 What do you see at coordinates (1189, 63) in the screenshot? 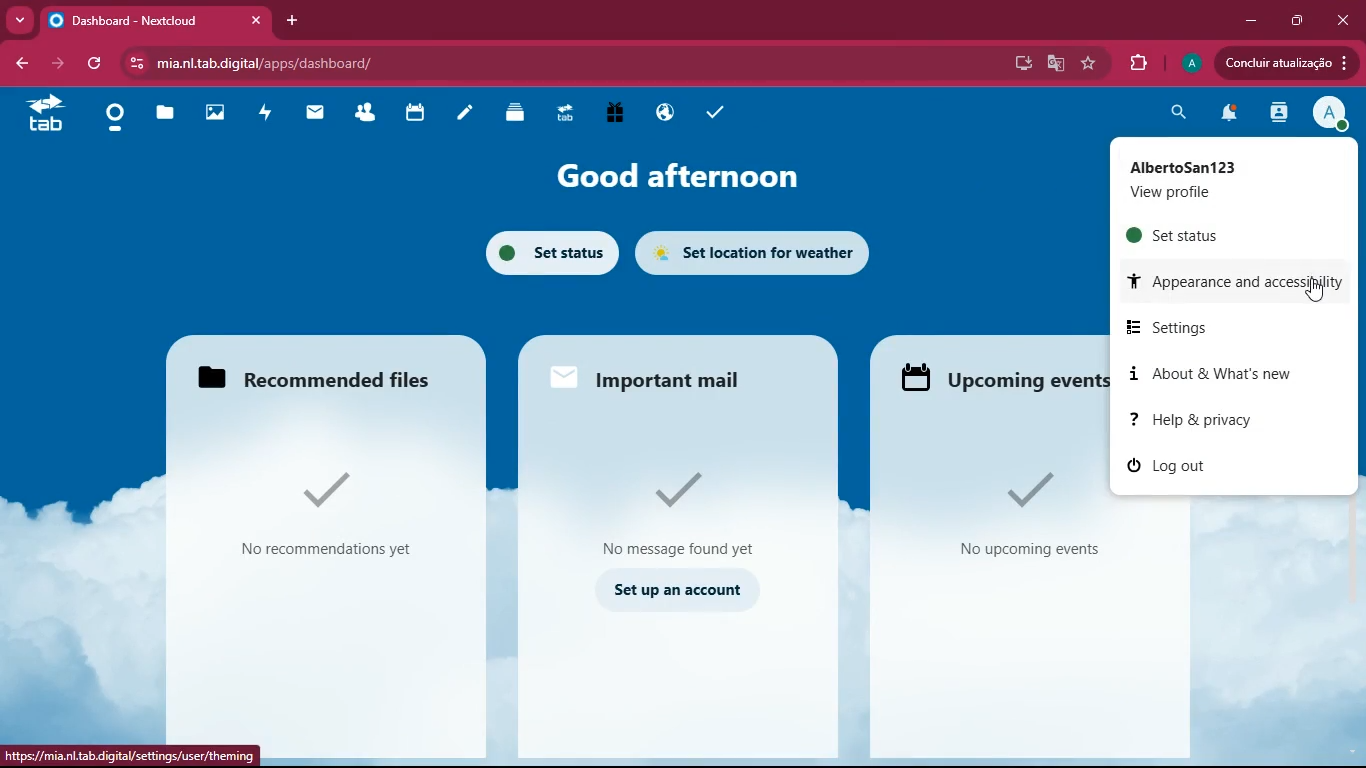
I see `profile` at bounding box center [1189, 63].